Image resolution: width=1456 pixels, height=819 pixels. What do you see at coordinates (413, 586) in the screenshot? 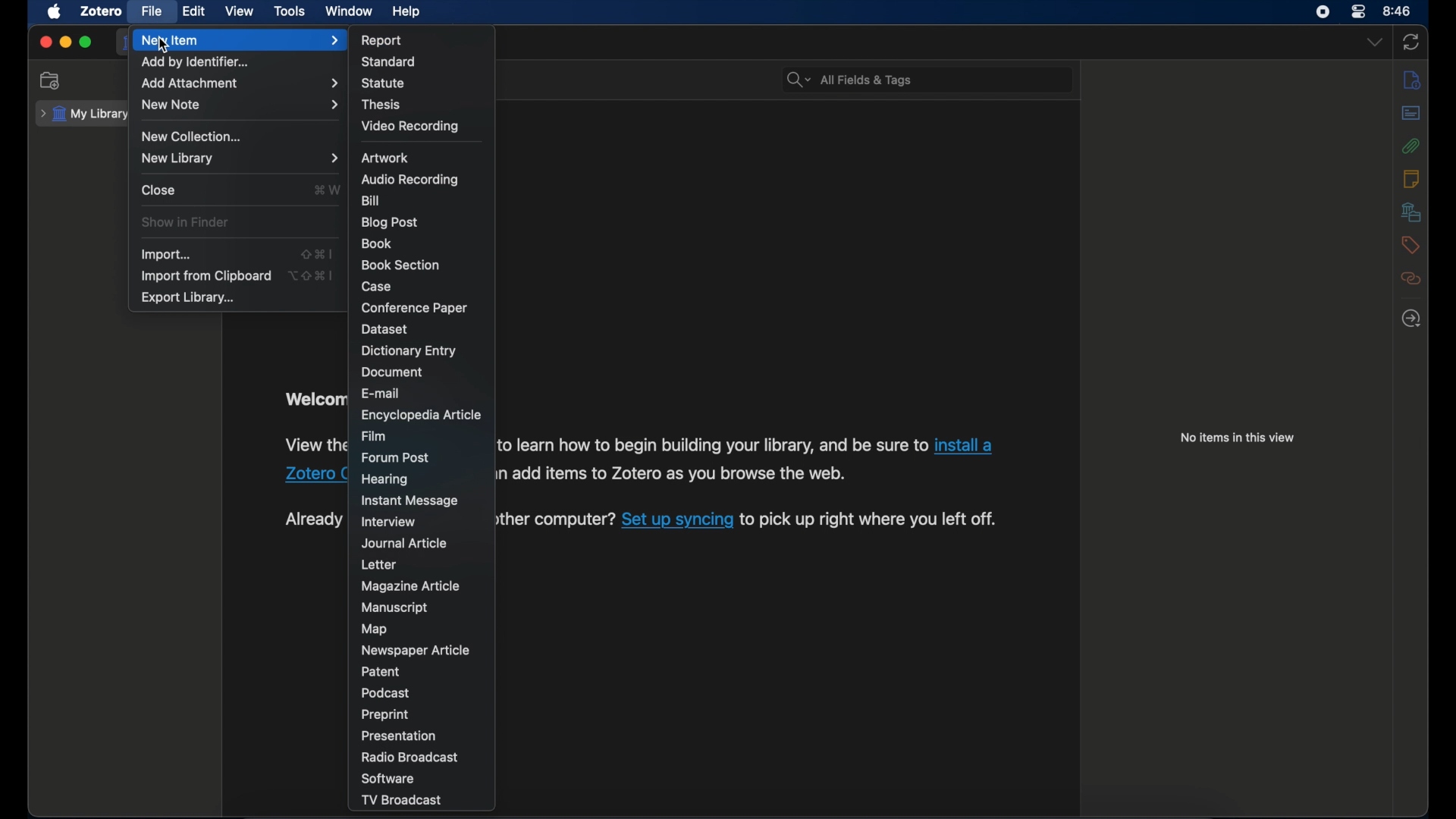
I see `magazine article` at bounding box center [413, 586].